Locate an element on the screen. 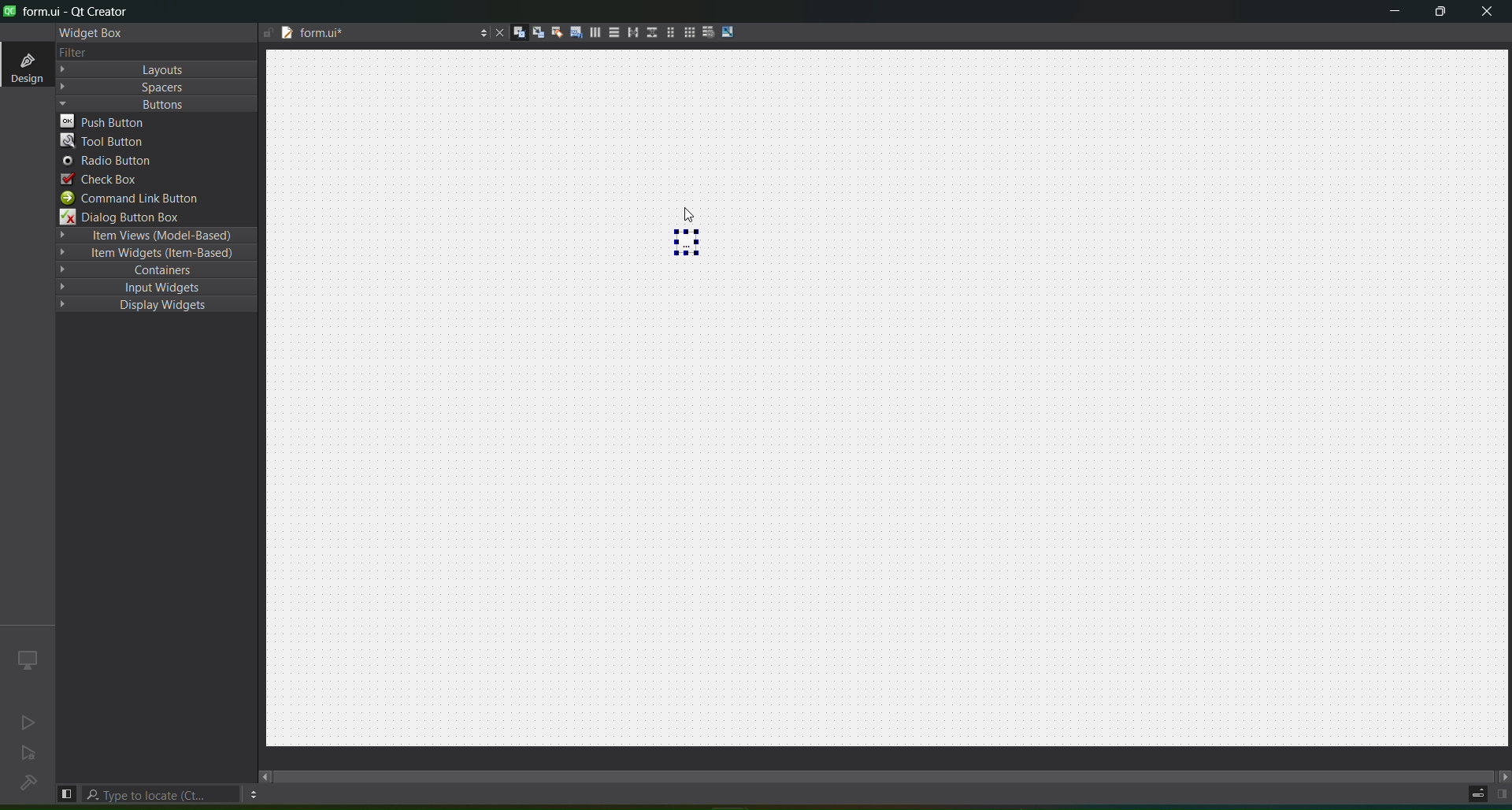 This screenshot has width=1512, height=810. input widgets is located at coordinates (156, 291).